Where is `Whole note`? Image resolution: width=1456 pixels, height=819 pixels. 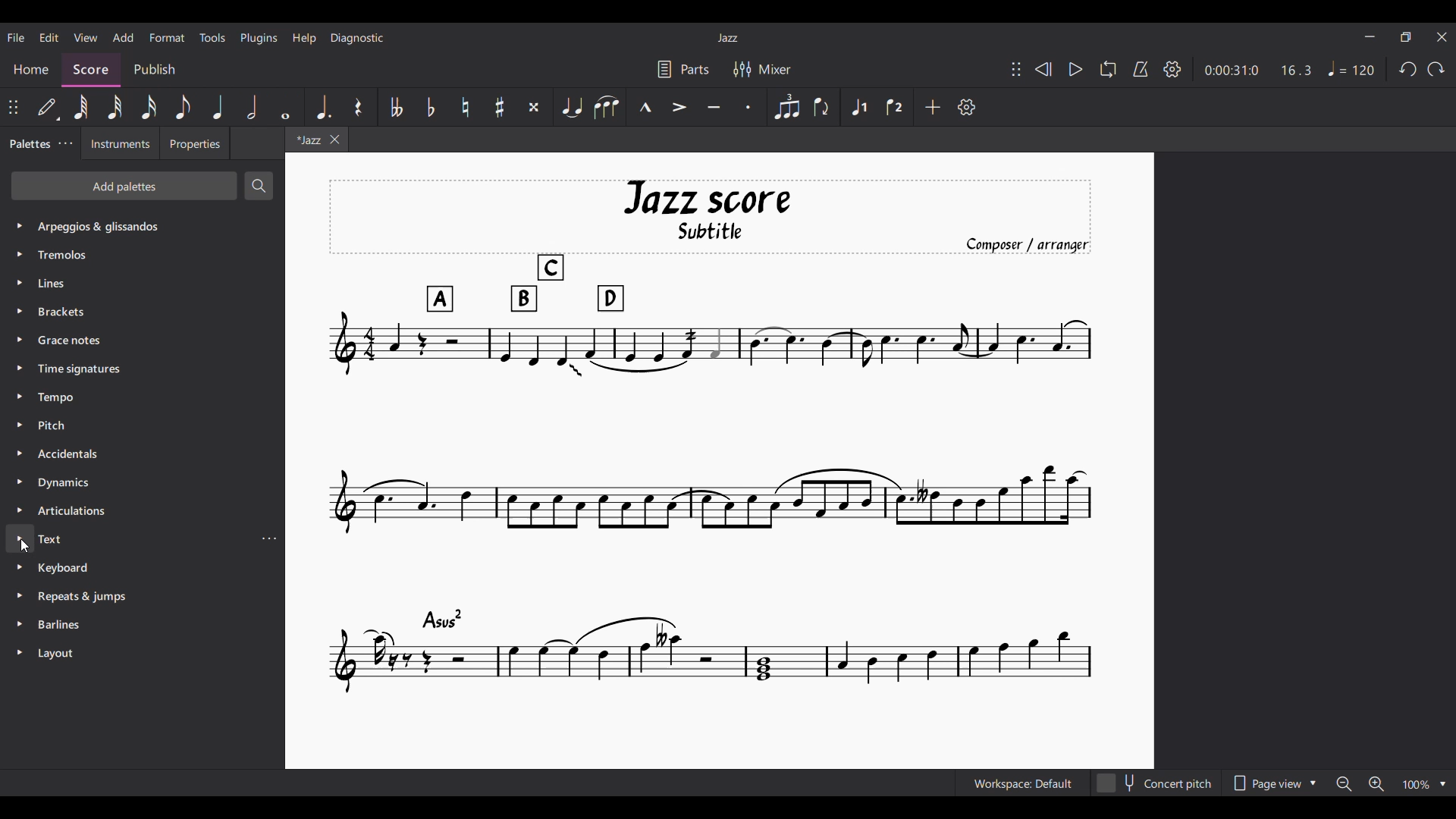
Whole note is located at coordinates (285, 106).